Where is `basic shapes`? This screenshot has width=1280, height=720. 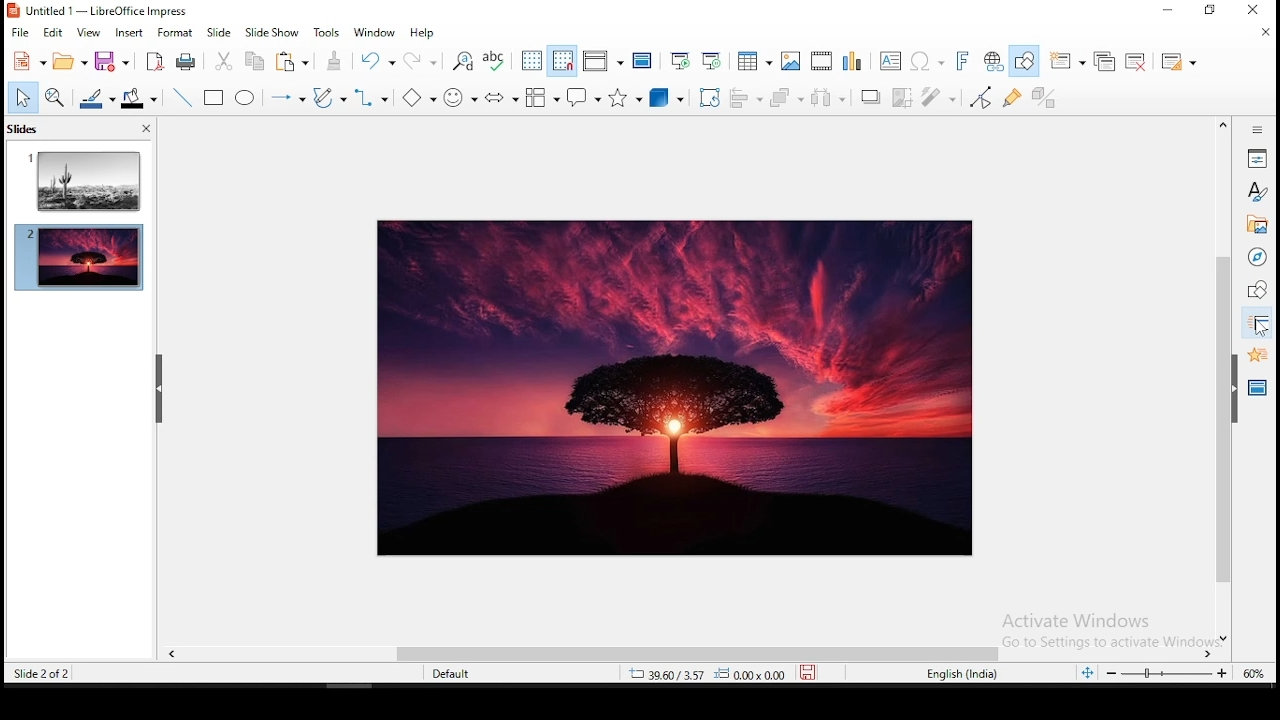 basic shapes is located at coordinates (416, 100).